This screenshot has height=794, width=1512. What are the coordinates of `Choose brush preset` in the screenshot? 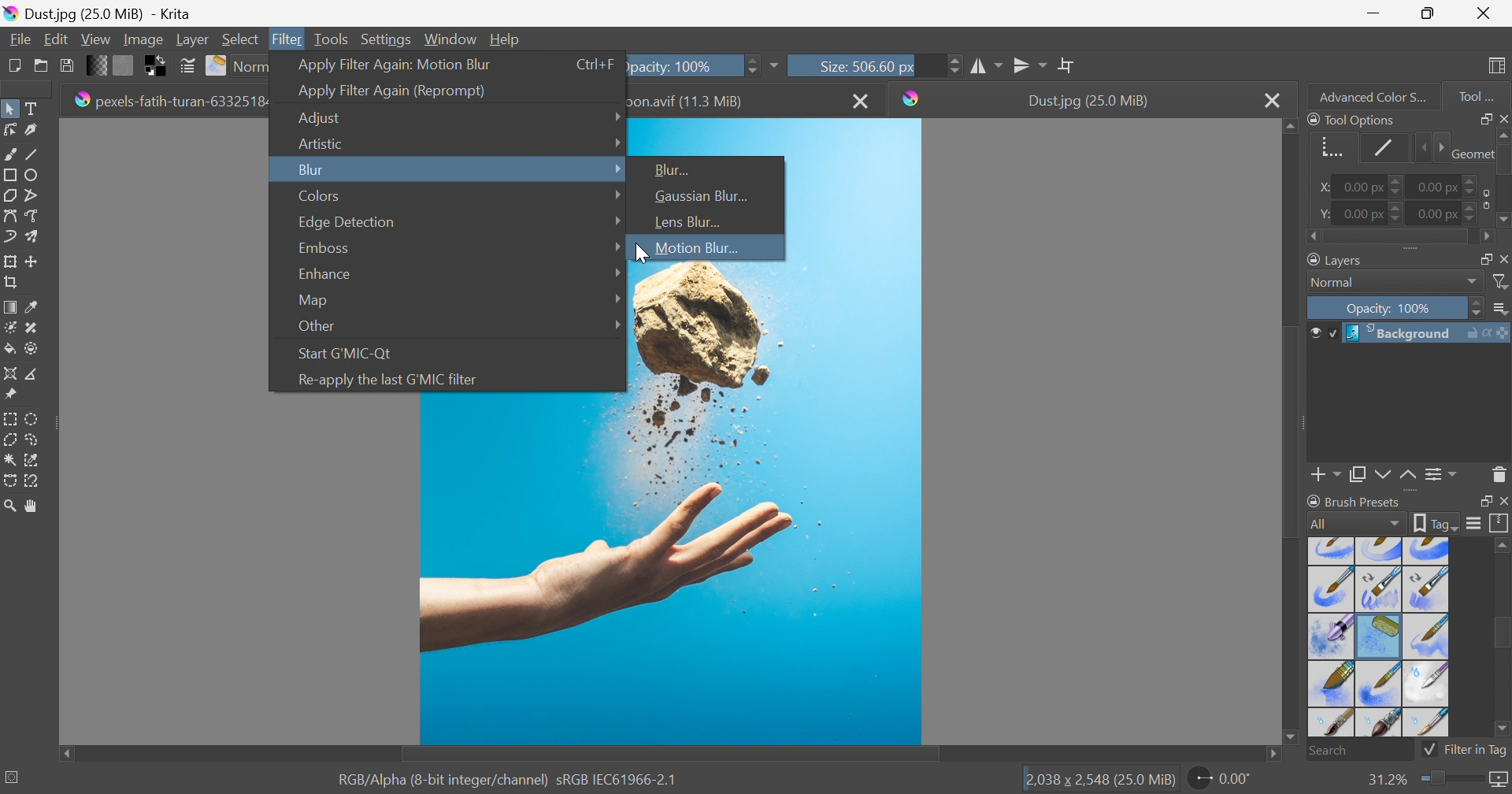 It's located at (217, 66).